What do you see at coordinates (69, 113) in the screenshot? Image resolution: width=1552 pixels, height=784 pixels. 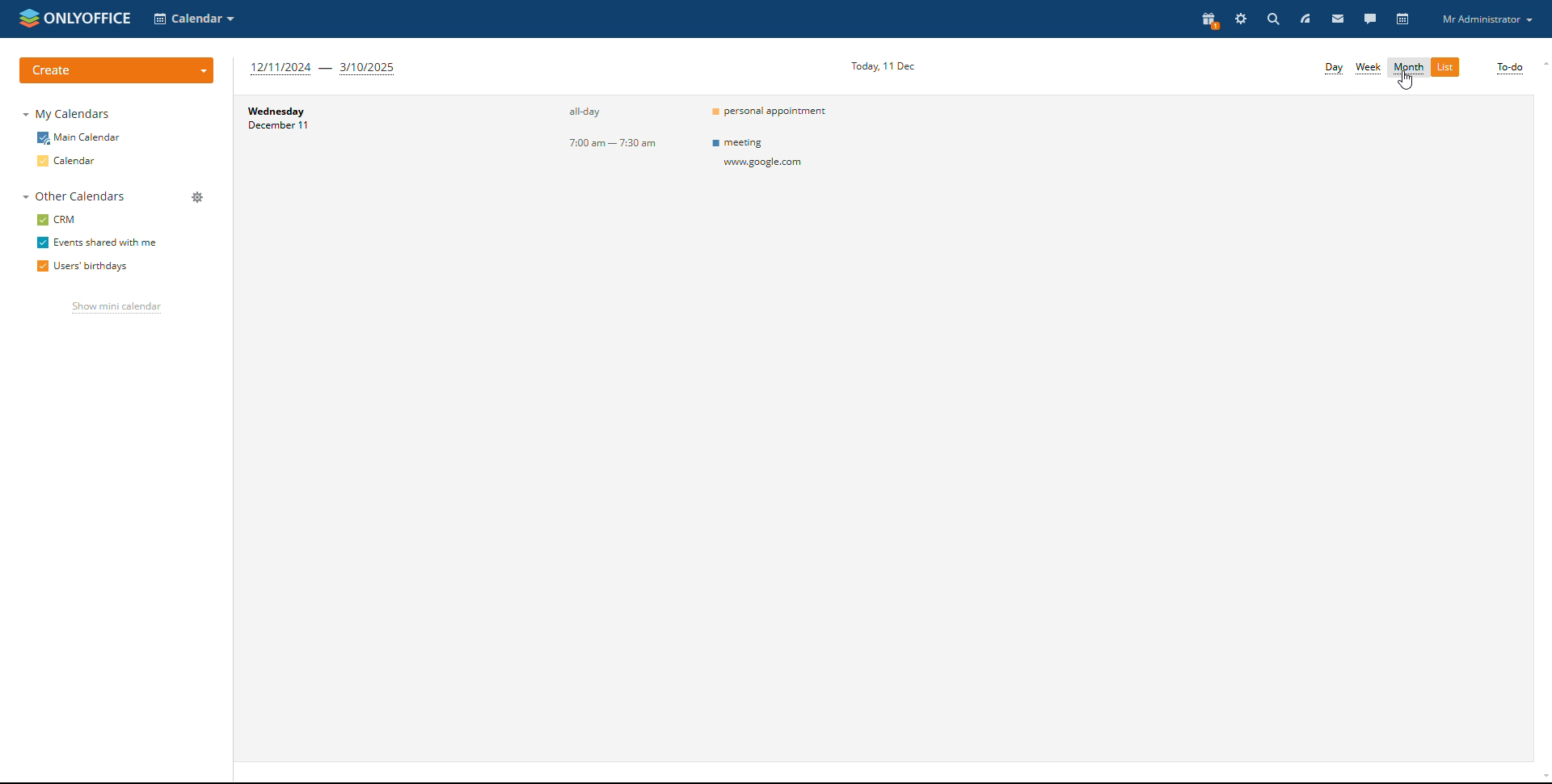 I see `my calendar` at bounding box center [69, 113].